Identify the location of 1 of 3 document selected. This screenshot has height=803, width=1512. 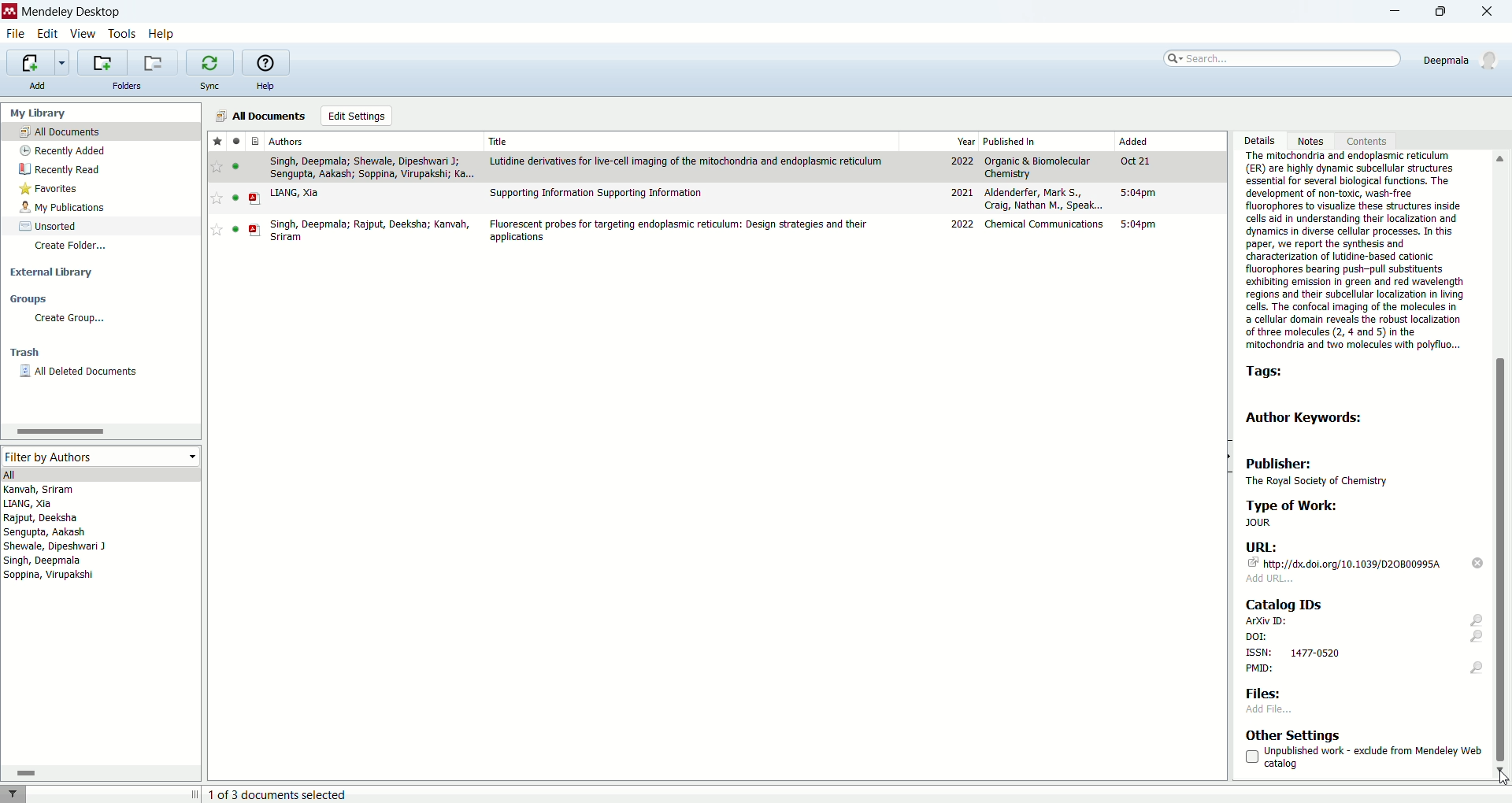
(285, 794).